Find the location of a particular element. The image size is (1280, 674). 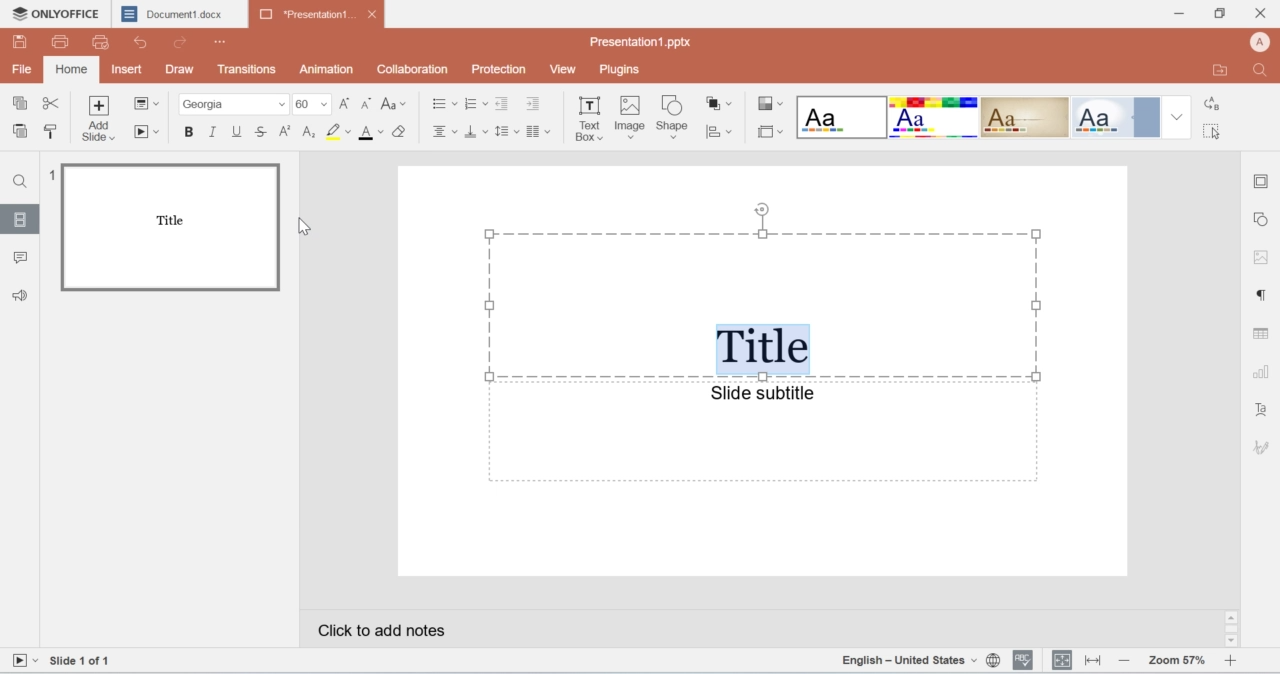

scroll down is located at coordinates (1230, 642).